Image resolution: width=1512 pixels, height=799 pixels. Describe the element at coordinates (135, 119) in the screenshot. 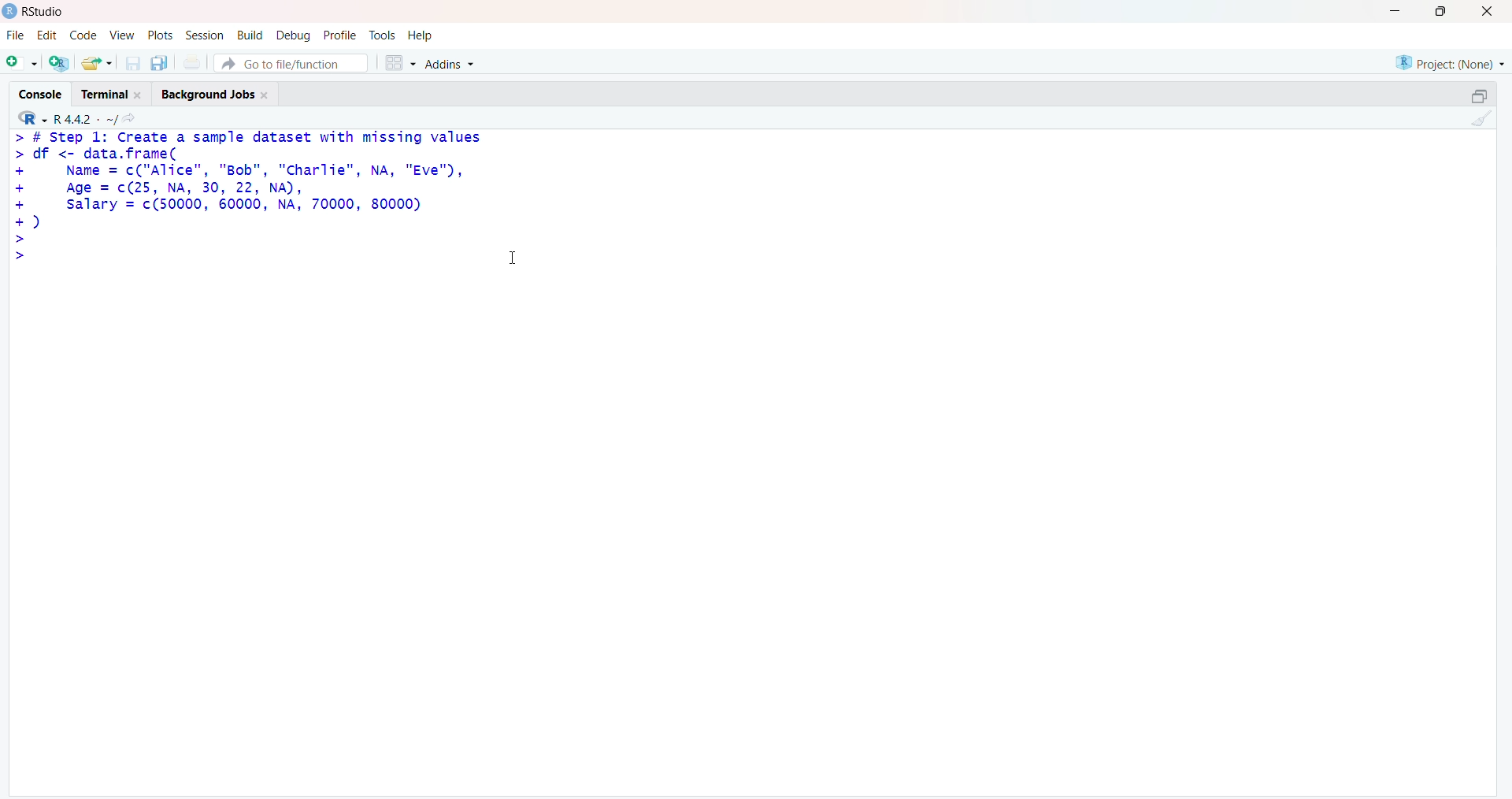

I see `View the current working directory` at that location.